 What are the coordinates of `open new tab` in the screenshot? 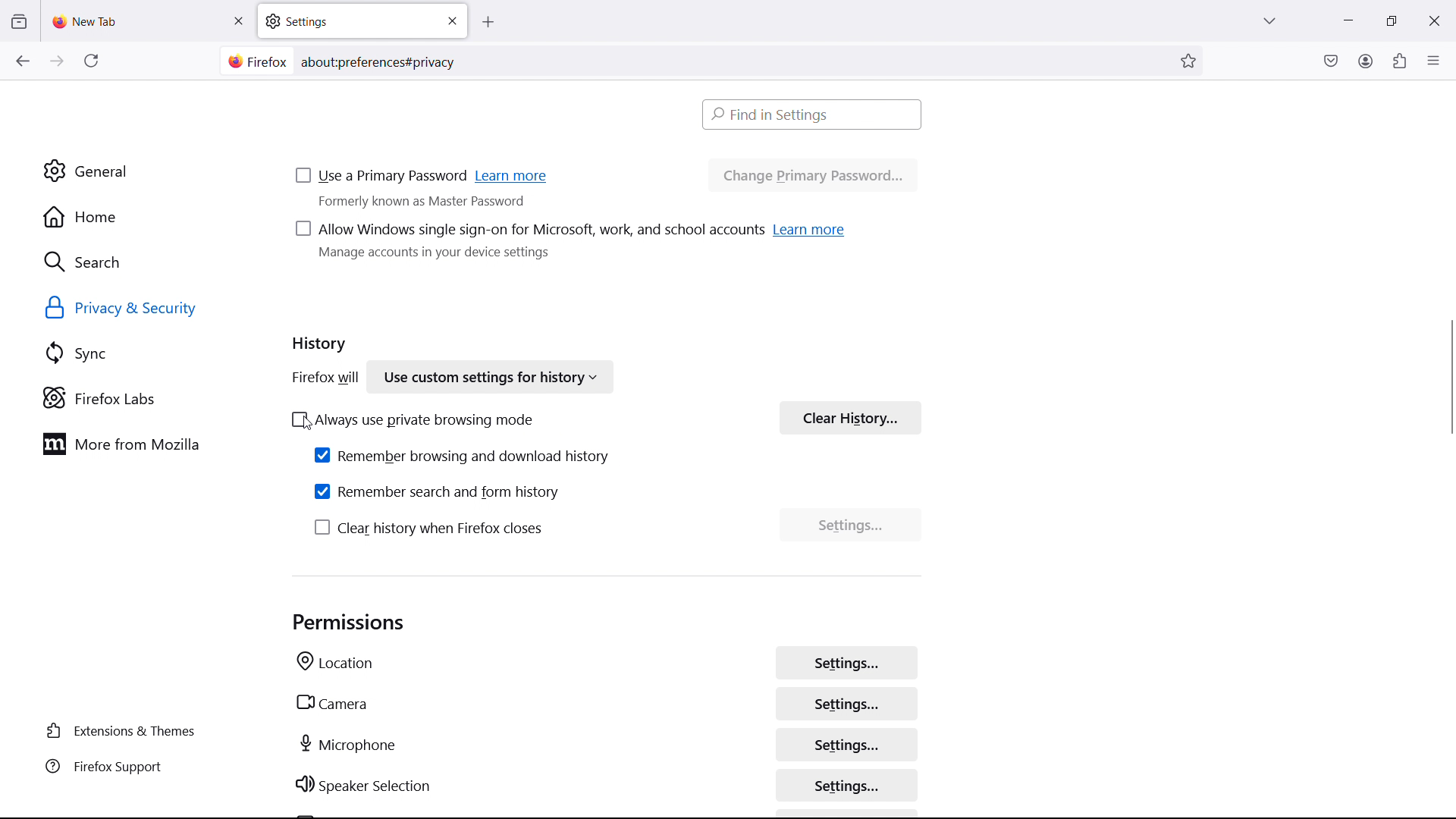 It's located at (503, 23).